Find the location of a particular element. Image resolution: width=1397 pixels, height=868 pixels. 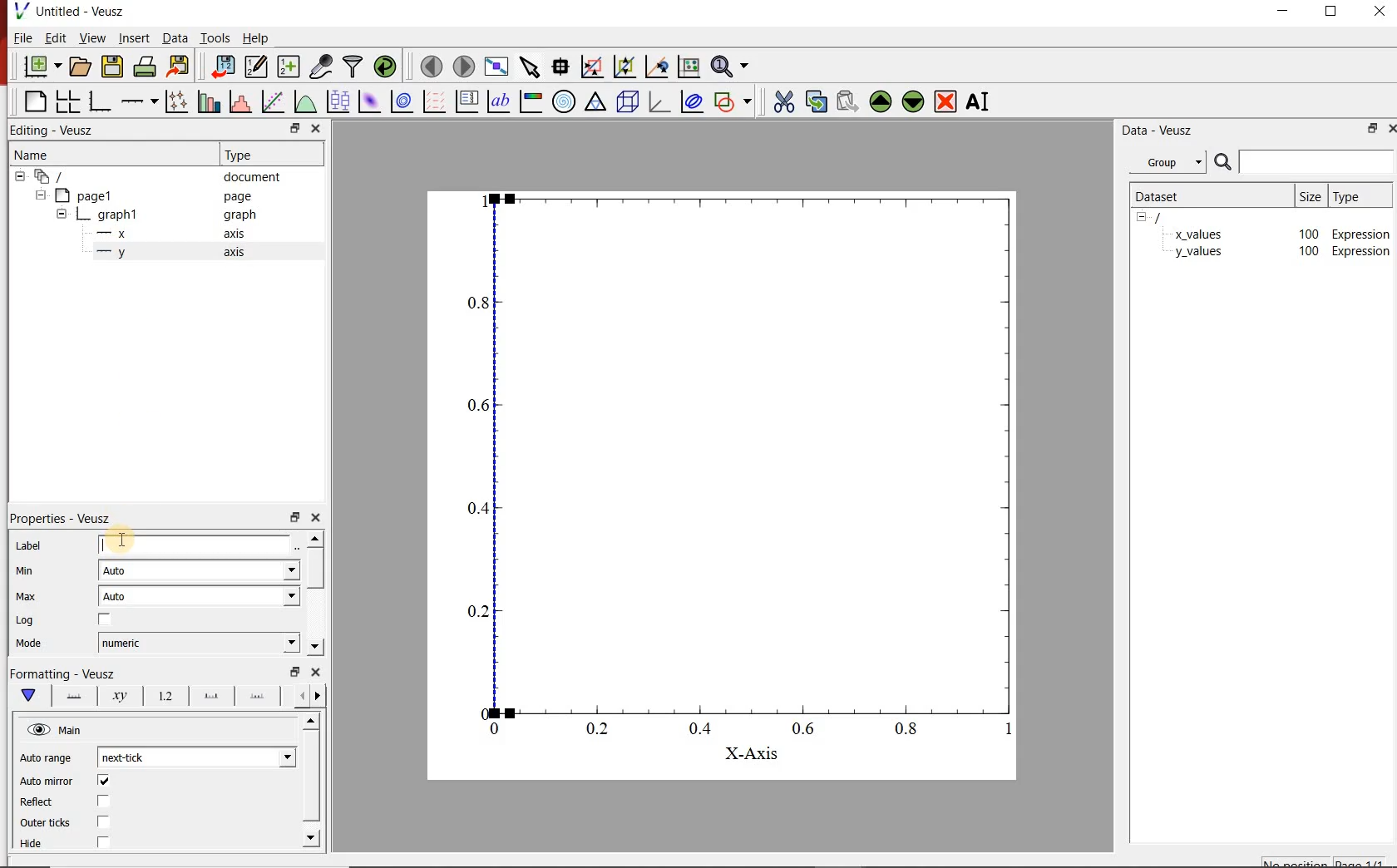

document is located at coordinates (250, 177).